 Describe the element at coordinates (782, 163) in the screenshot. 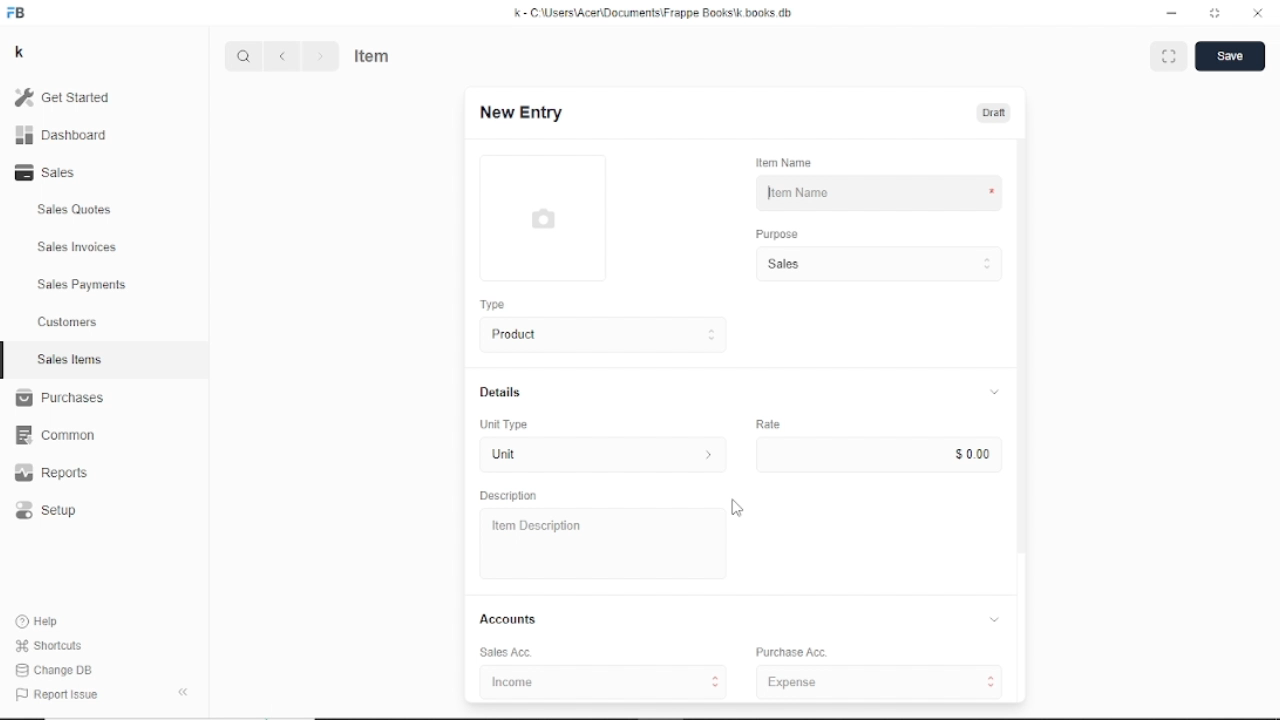

I see `Item Name` at that location.